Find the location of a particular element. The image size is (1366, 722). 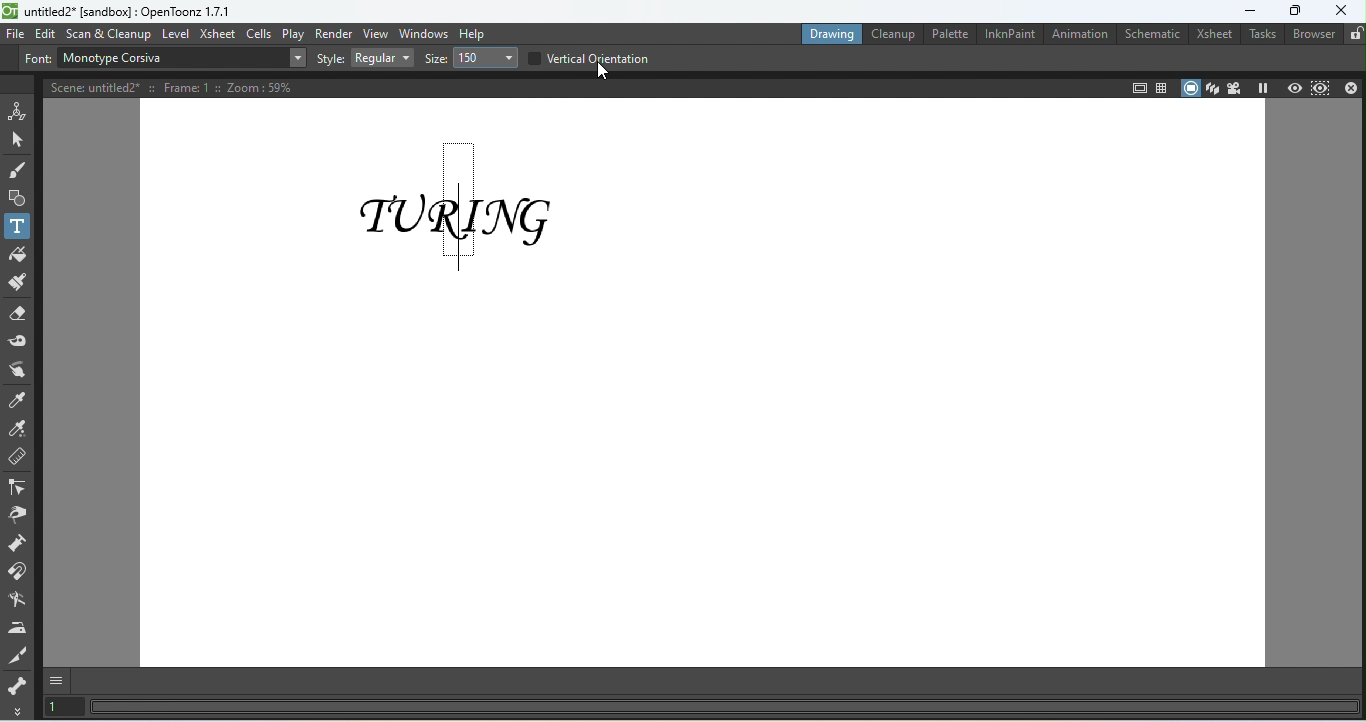

More options is located at coordinates (16, 711).